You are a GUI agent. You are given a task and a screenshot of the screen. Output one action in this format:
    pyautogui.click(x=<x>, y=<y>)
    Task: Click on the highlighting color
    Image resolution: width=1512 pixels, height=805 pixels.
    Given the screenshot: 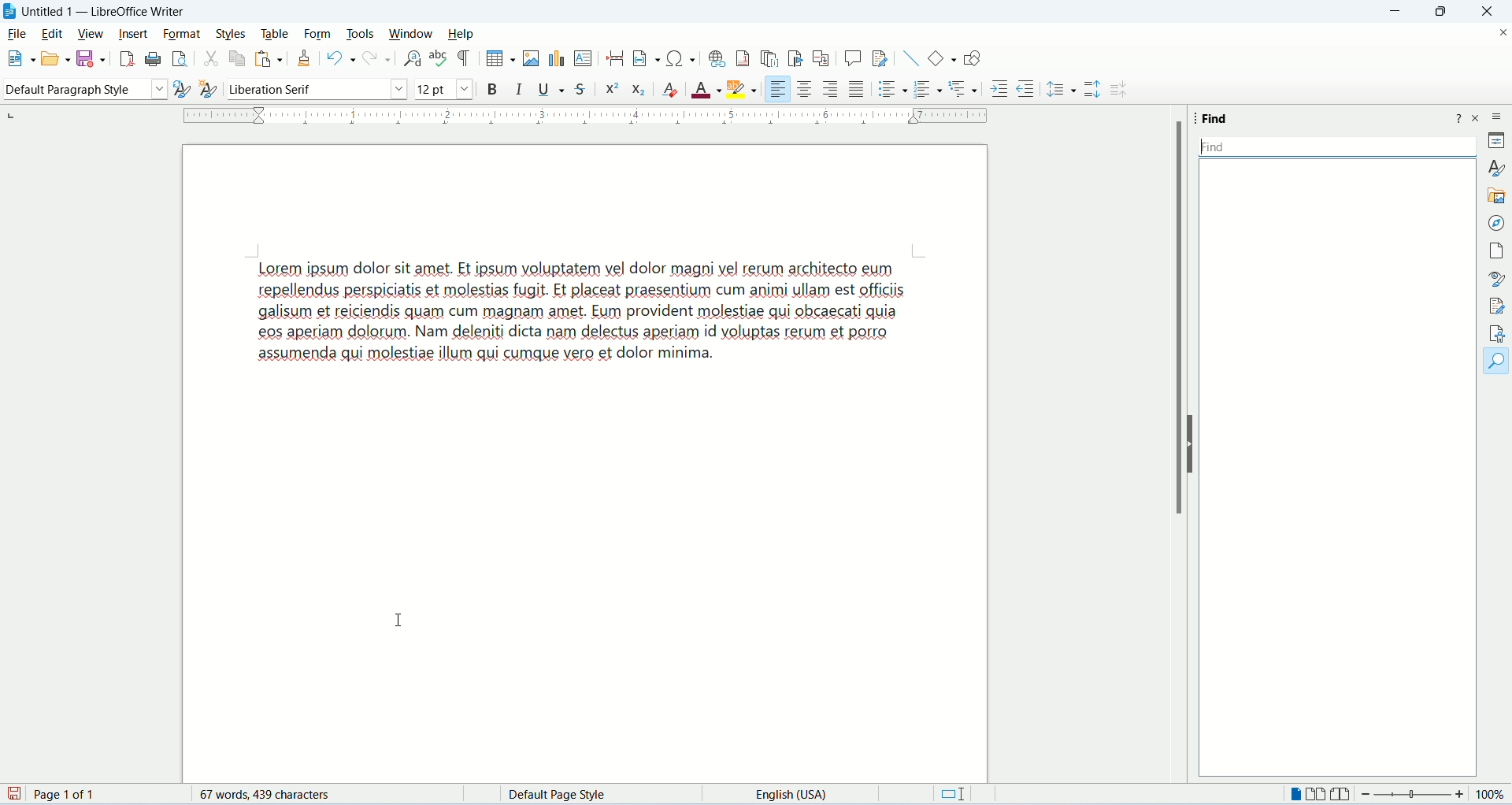 What is the action you would take?
    pyautogui.click(x=739, y=89)
    